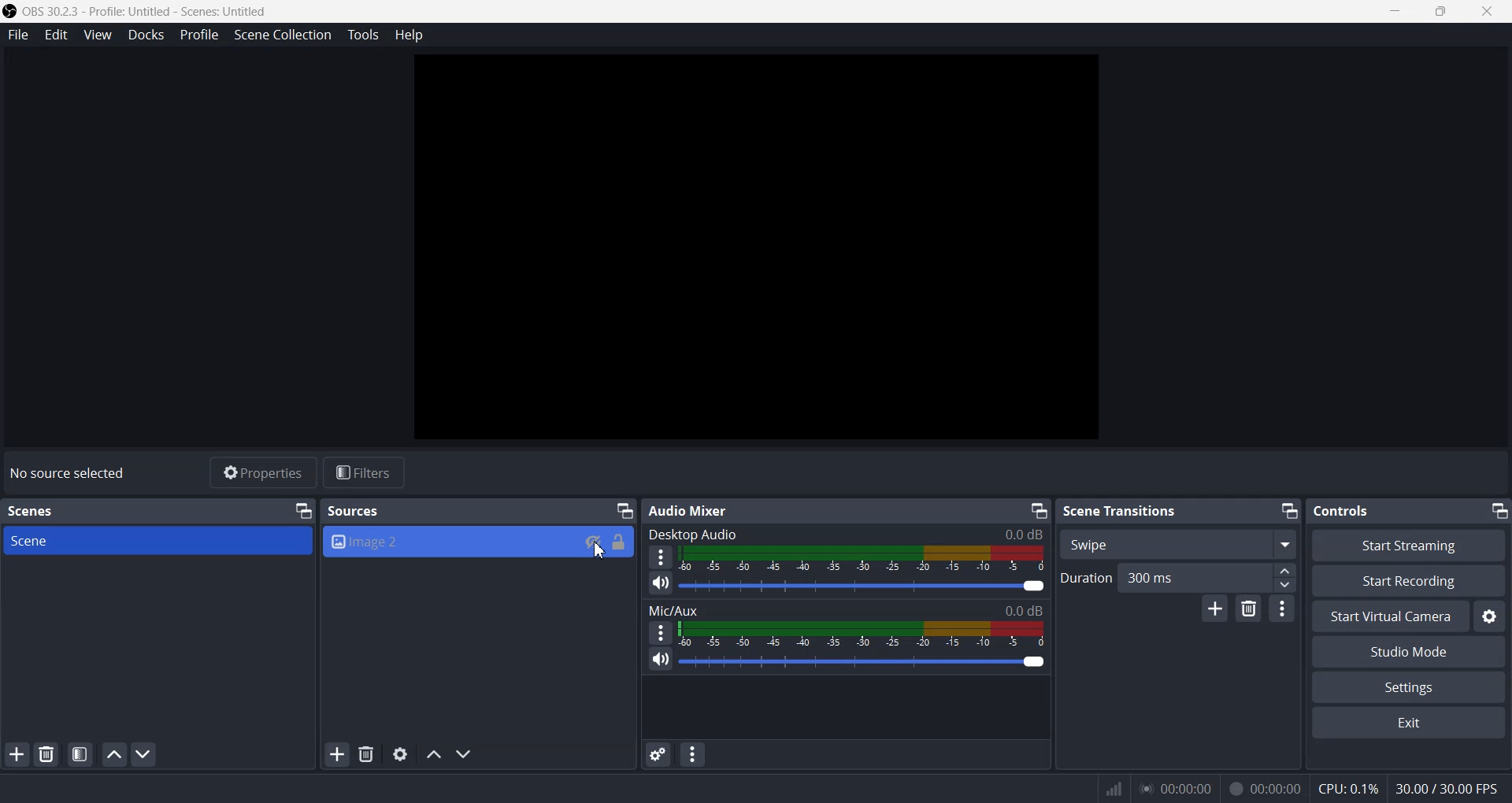  Describe the element at coordinates (198, 34) in the screenshot. I see `Profile` at that location.